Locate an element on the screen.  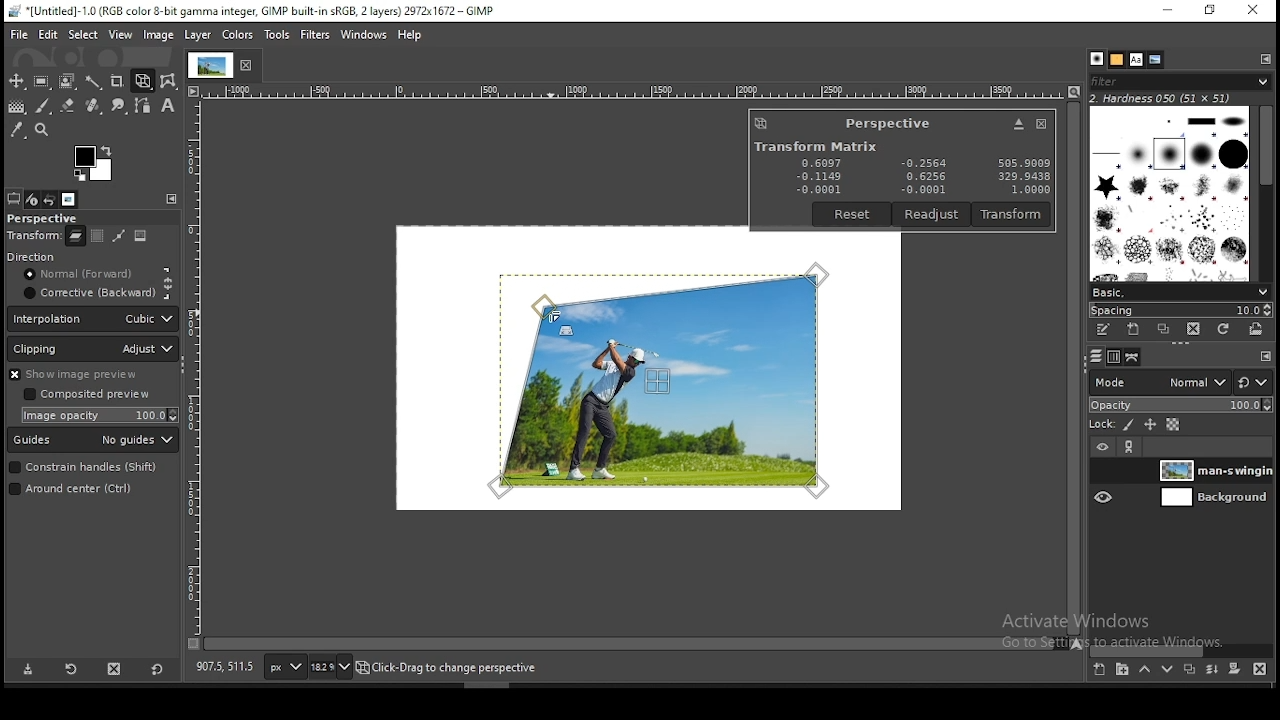
man-swinging-golf-course.jpg (82.5) is located at coordinates (457, 670).